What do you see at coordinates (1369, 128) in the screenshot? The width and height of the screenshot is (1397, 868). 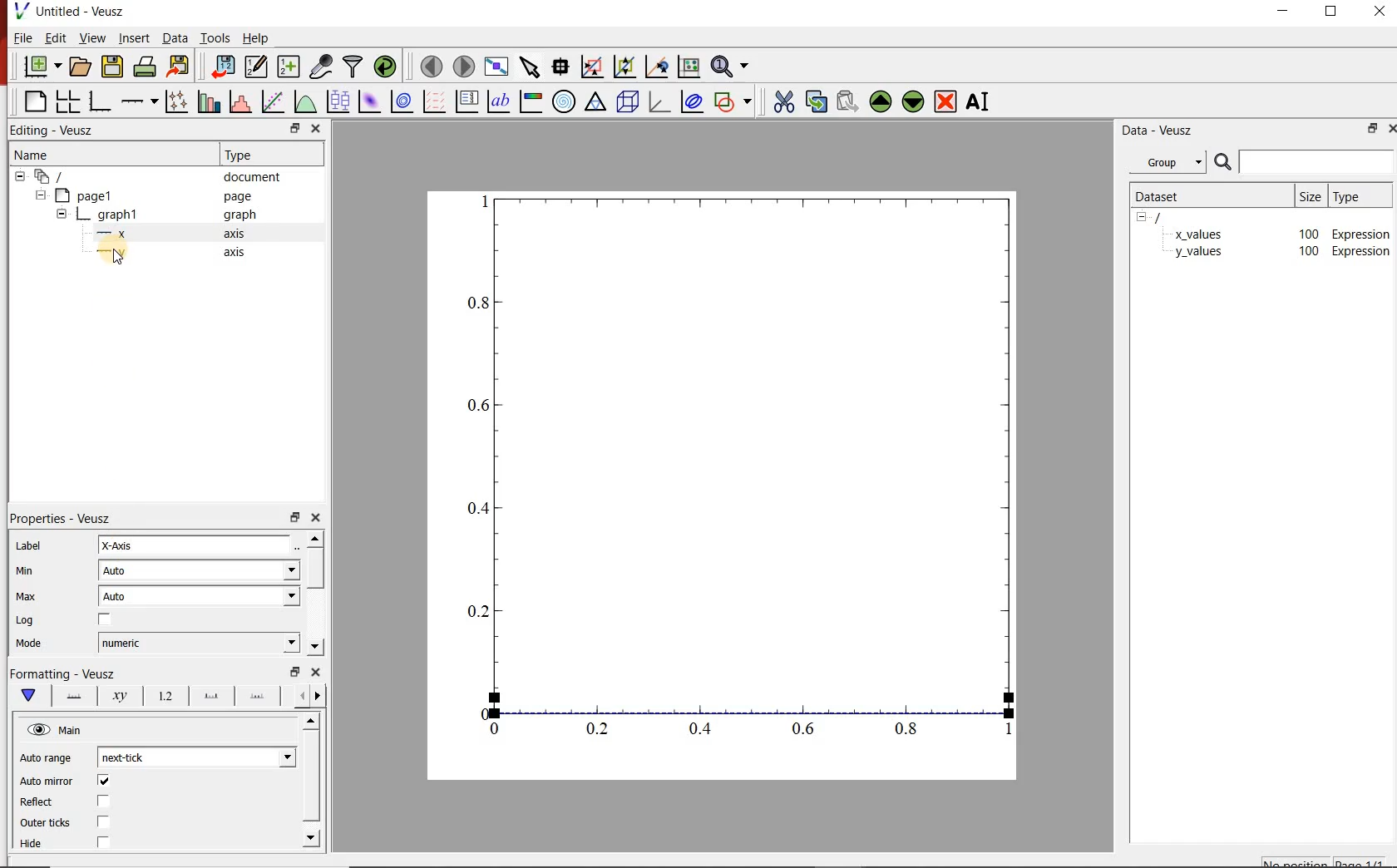 I see `restore down` at bounding box center [1369, 128].